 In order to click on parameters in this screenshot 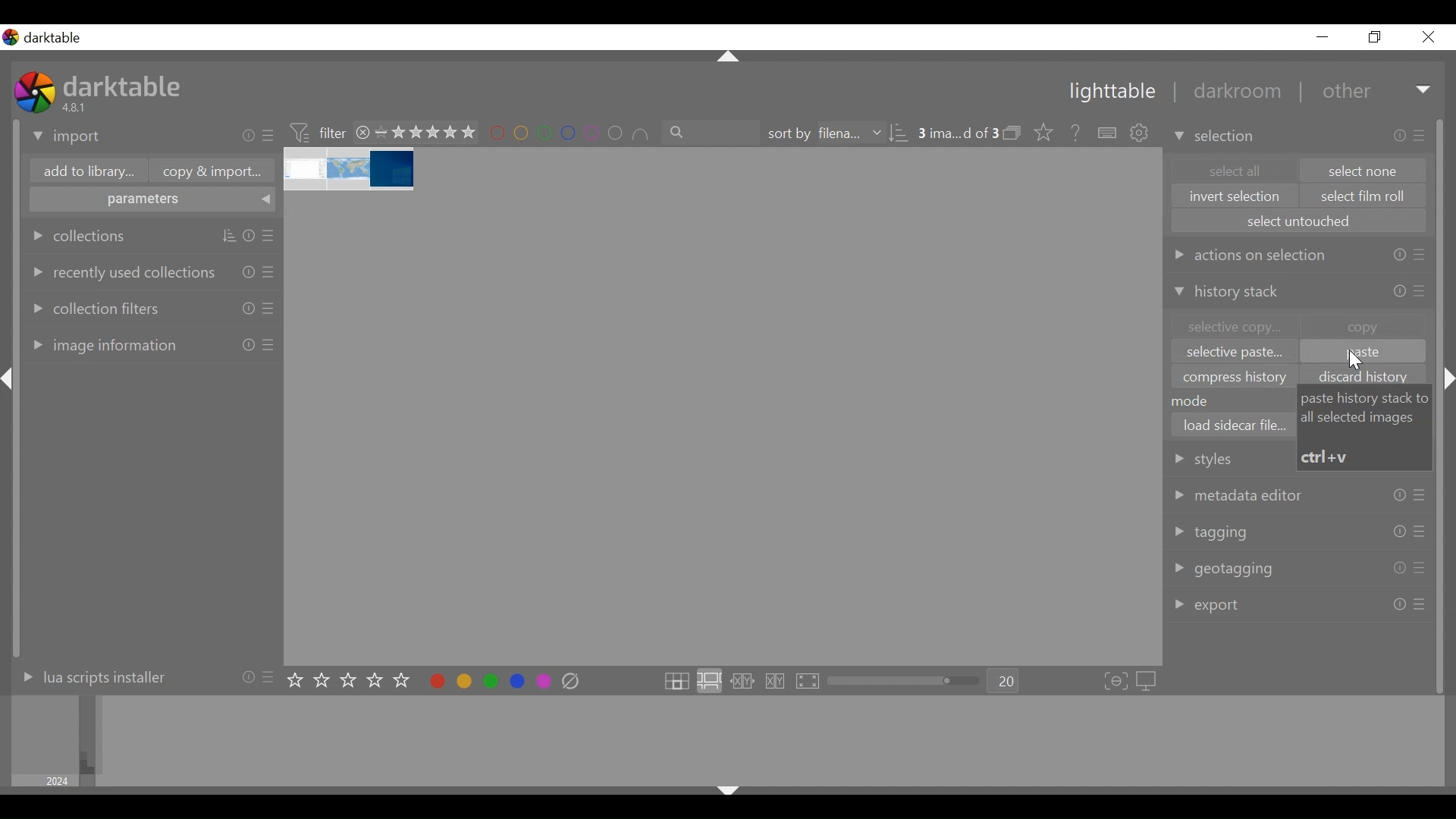, I will do `click(153, 201)`.